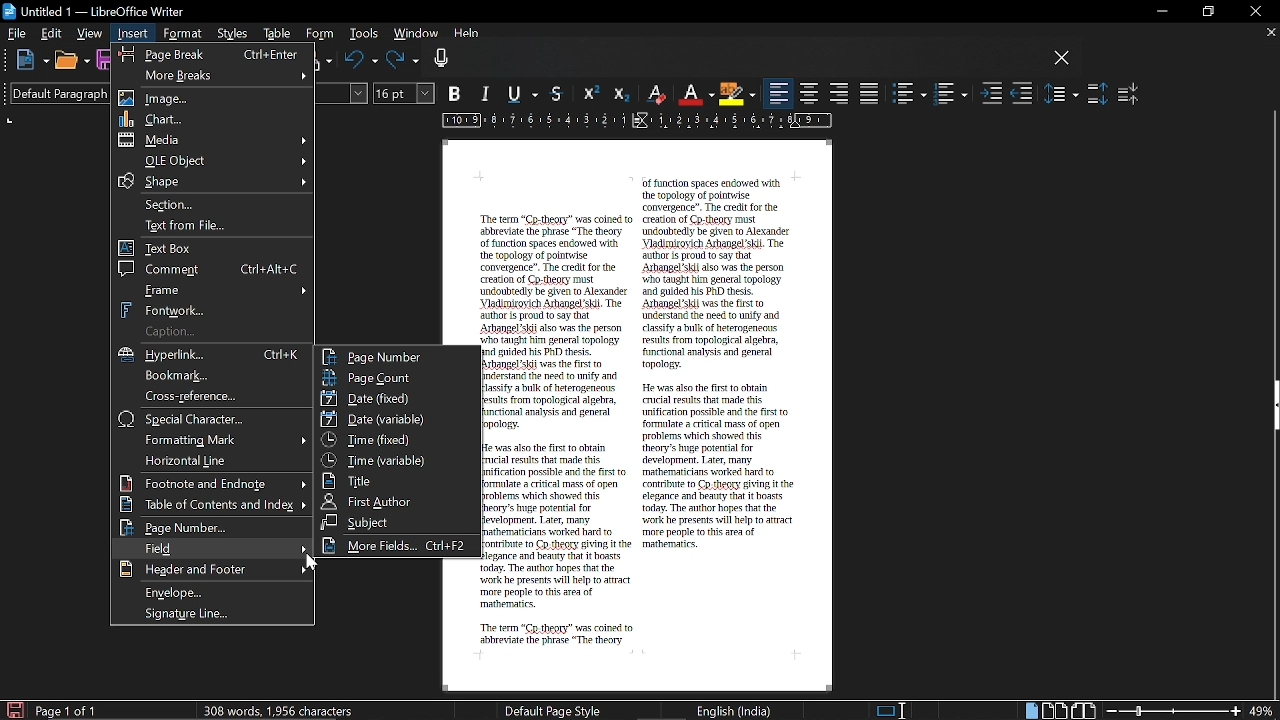  What do you see at coordinates (211, 181) in the screenshot?
I see `Shape` at bounding box center [211, 181].